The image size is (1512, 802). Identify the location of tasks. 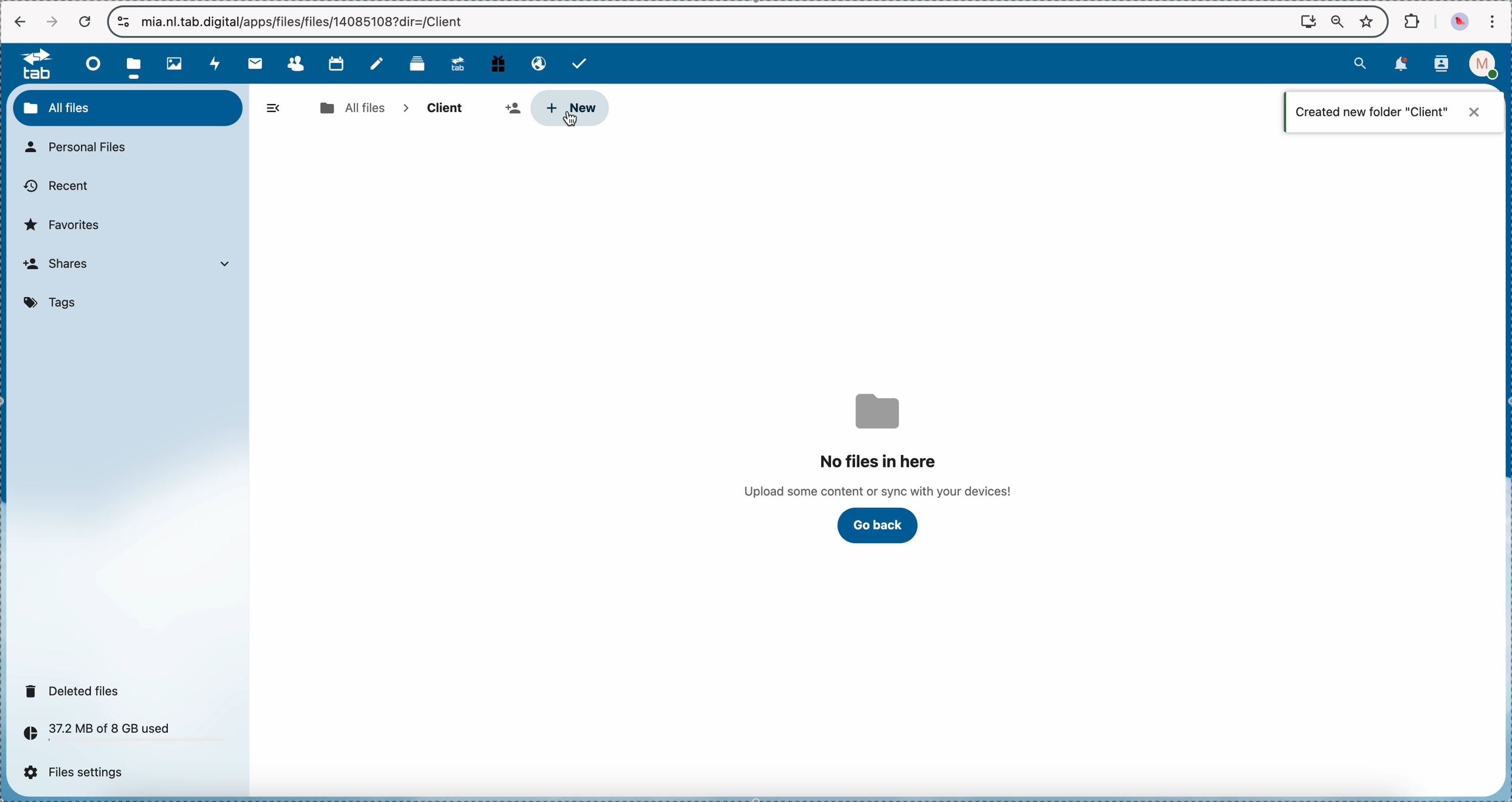
(581, 63).